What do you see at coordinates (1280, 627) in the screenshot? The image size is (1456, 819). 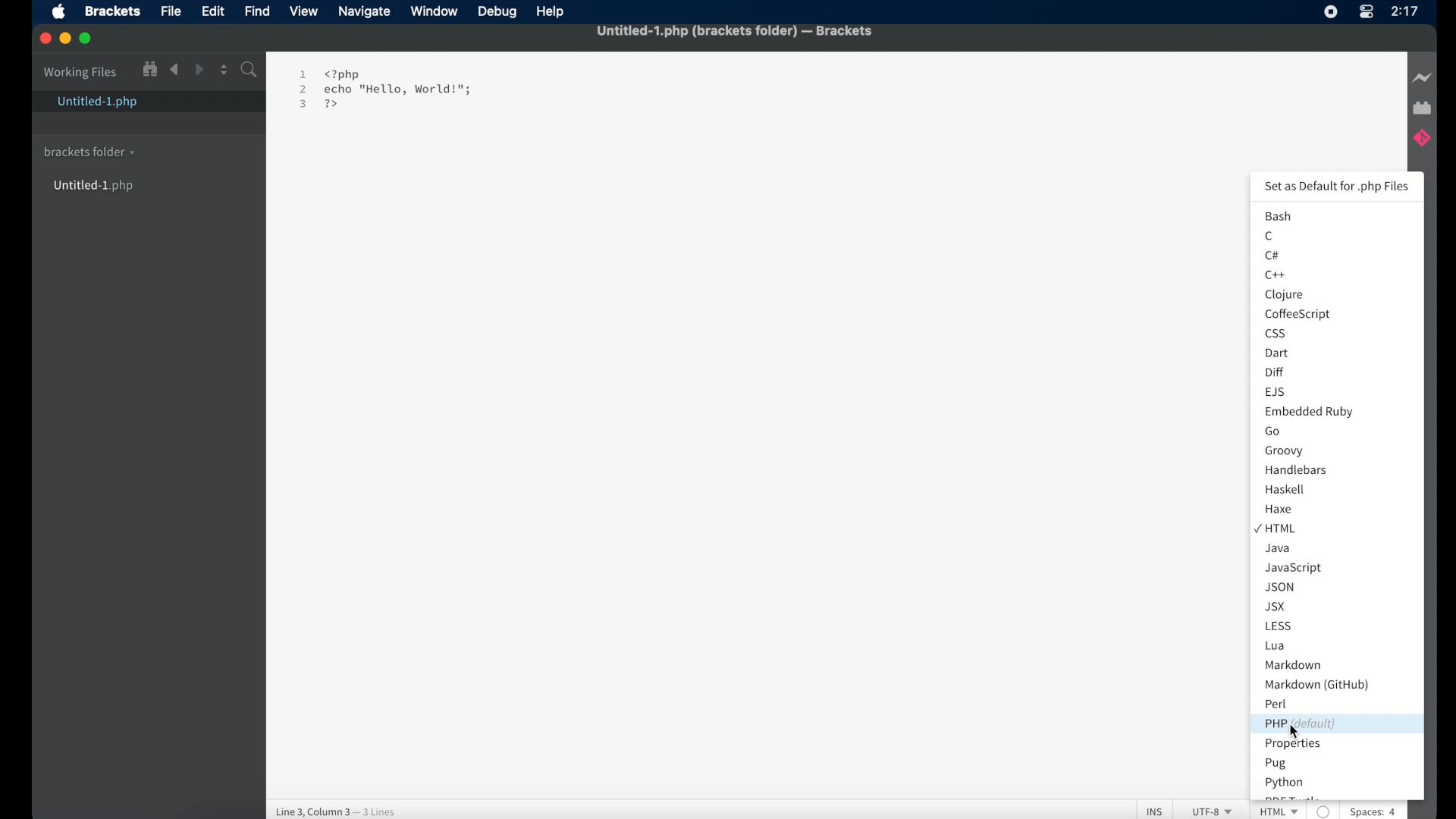 I see `less` at bounding box center [1280, 627].